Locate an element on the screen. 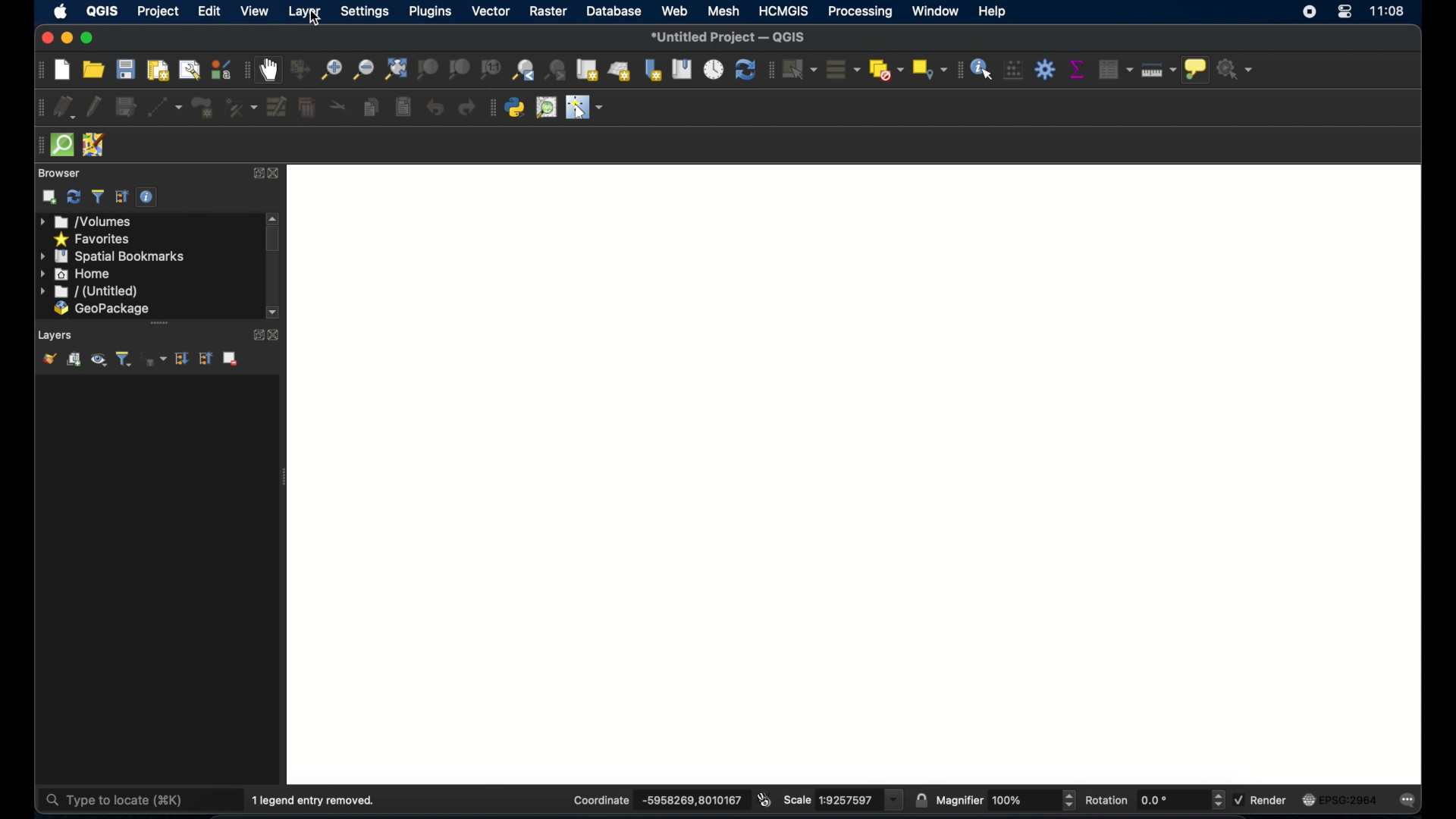  dropdown is located at coordinates (895, 800).